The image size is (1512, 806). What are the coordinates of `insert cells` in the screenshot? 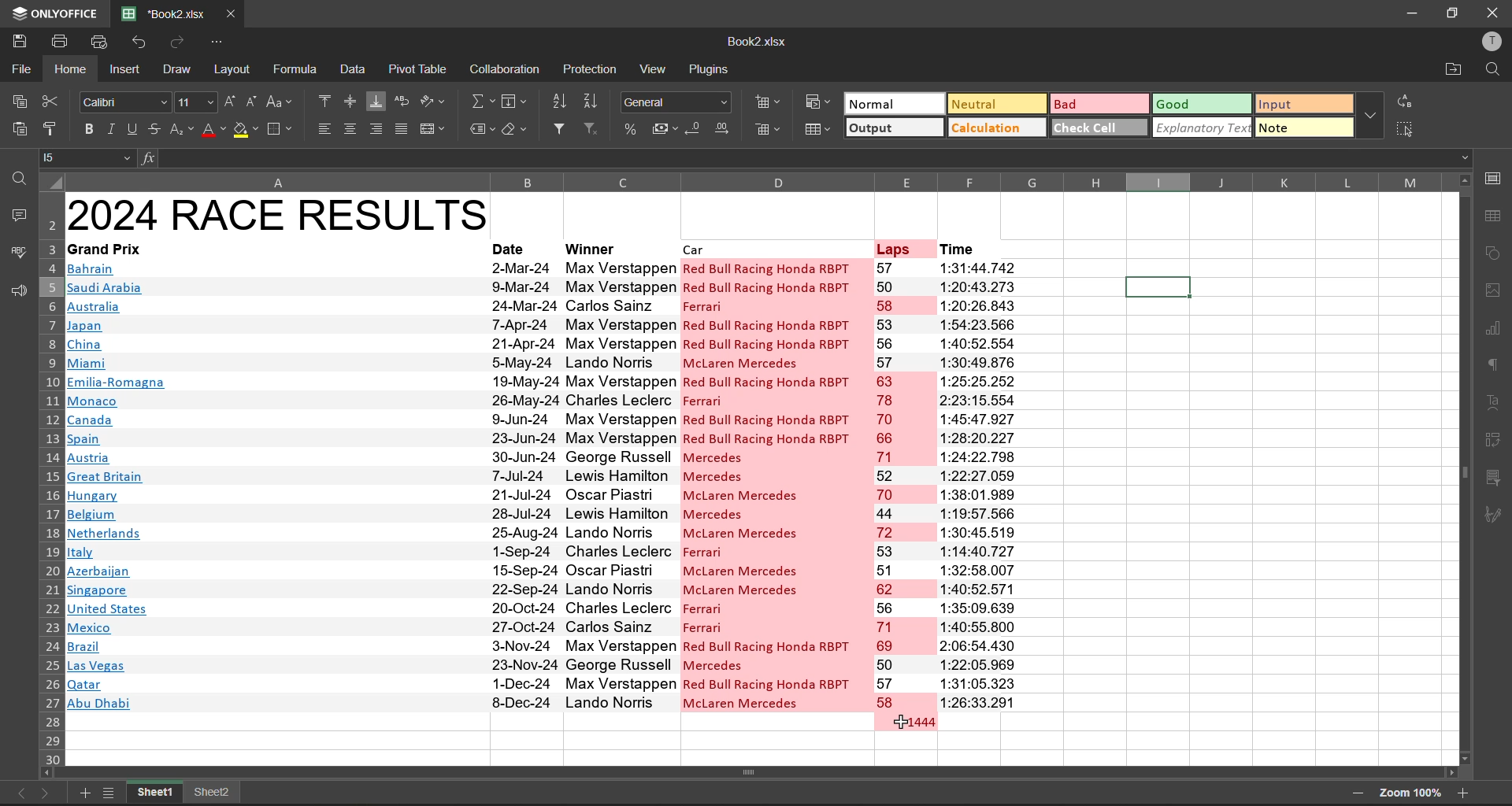 It's located at (771, 104).